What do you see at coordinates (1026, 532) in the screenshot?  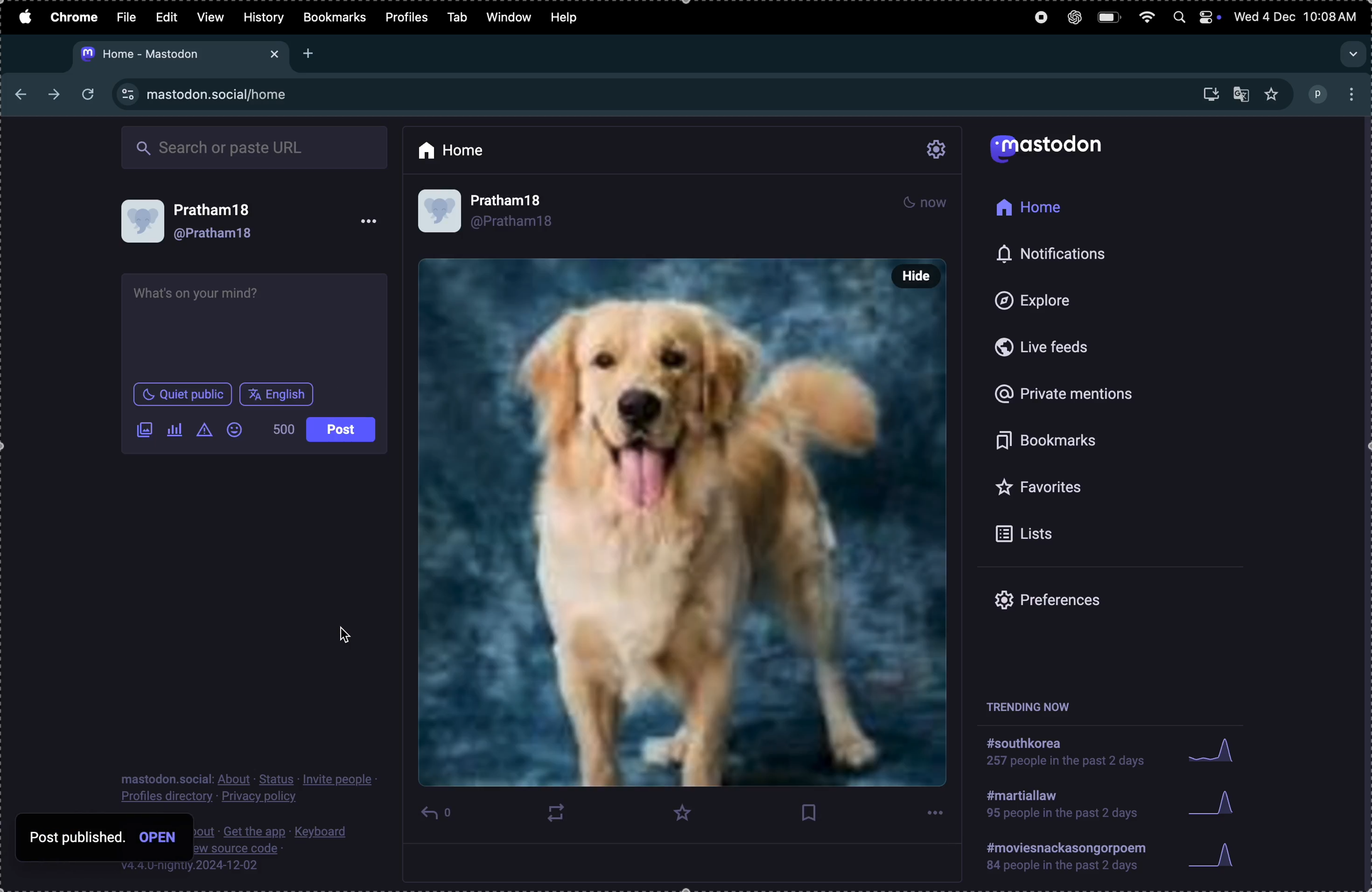 I see `lists` at bounding box center [1026, 532].